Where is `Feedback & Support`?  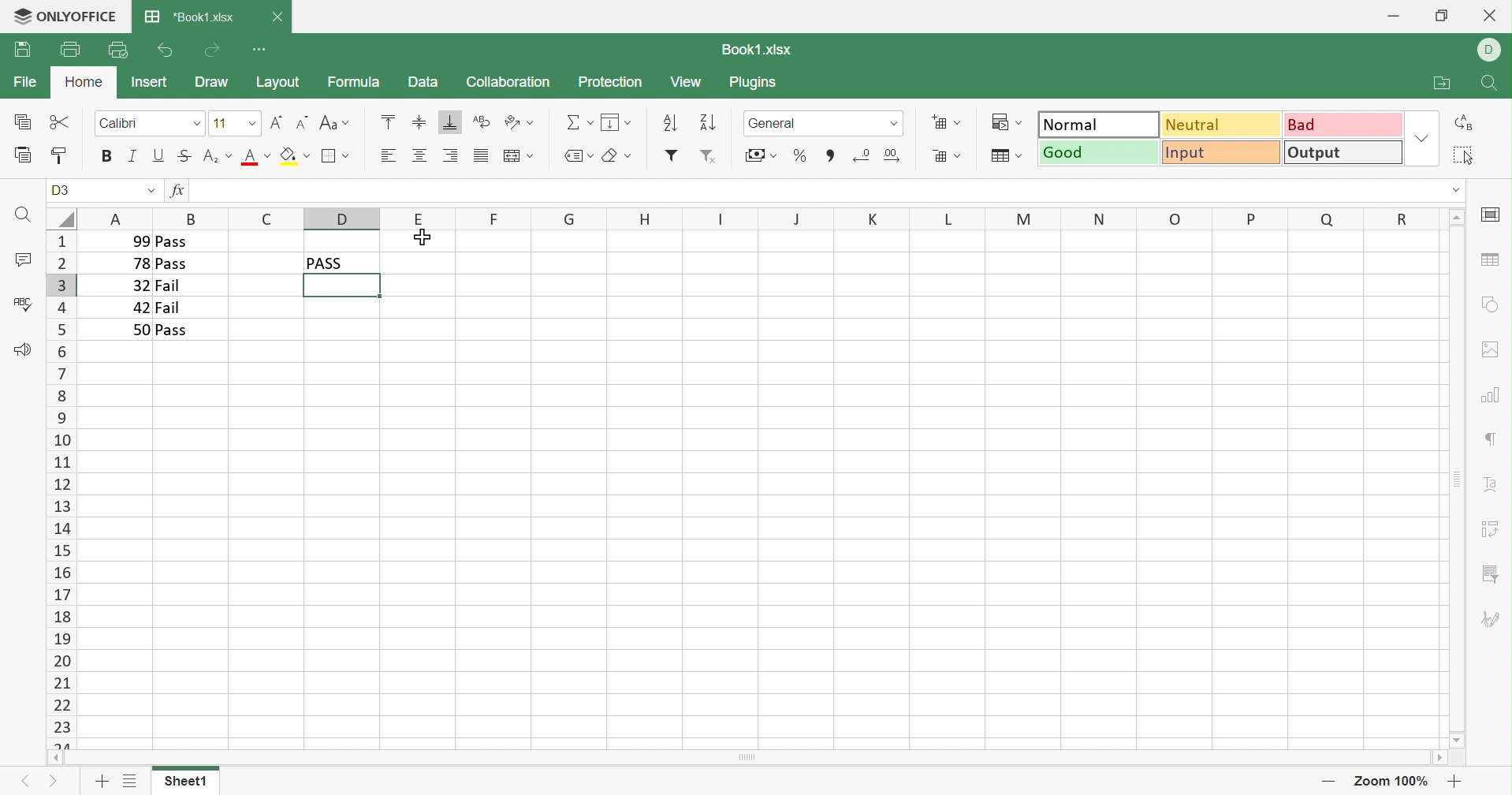 Feedback & Support is located at coordinates (21, 349).